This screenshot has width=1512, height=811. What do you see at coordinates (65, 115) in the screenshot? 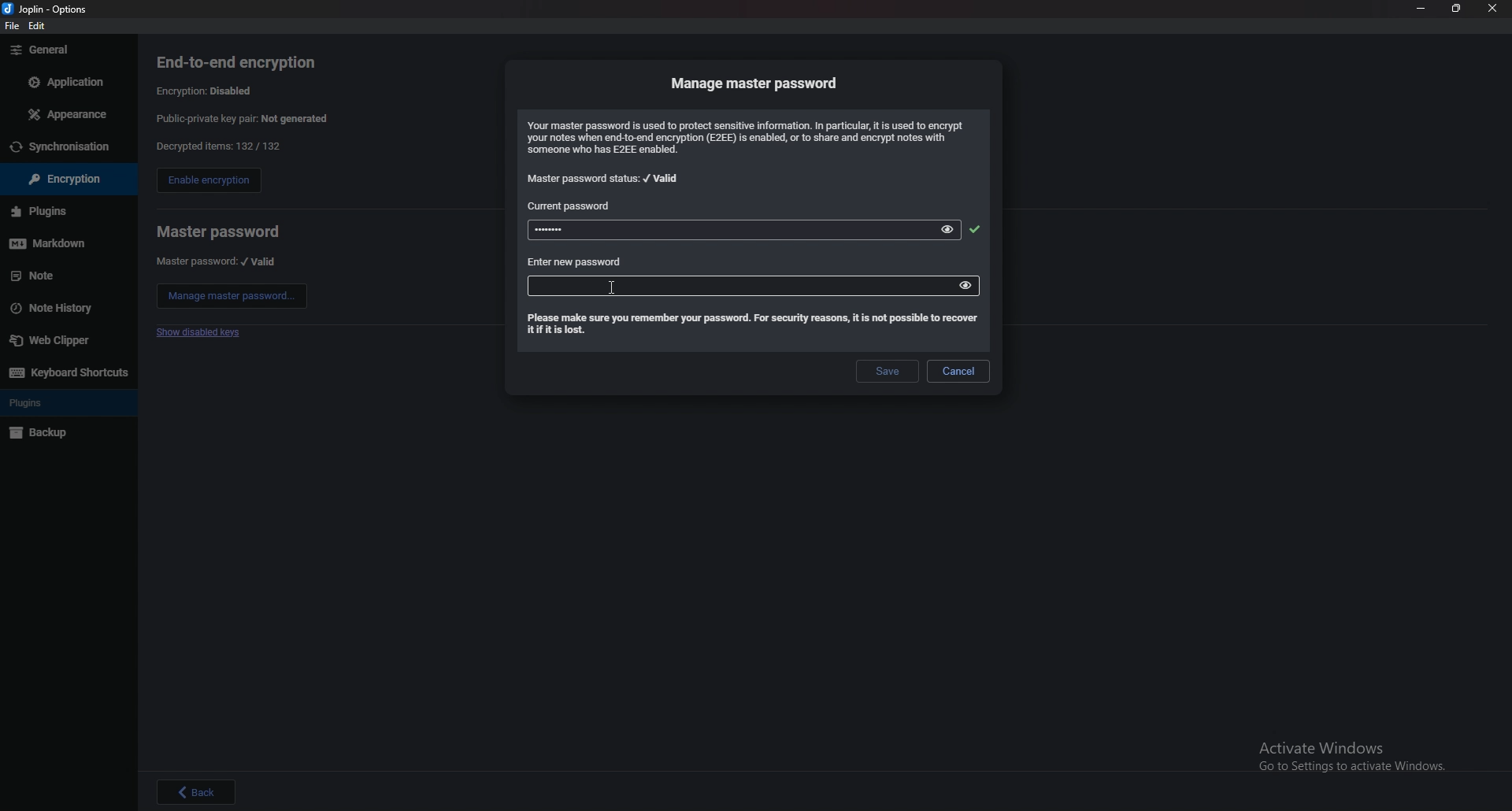
I see `appearance` at bounding box center [65, 115].